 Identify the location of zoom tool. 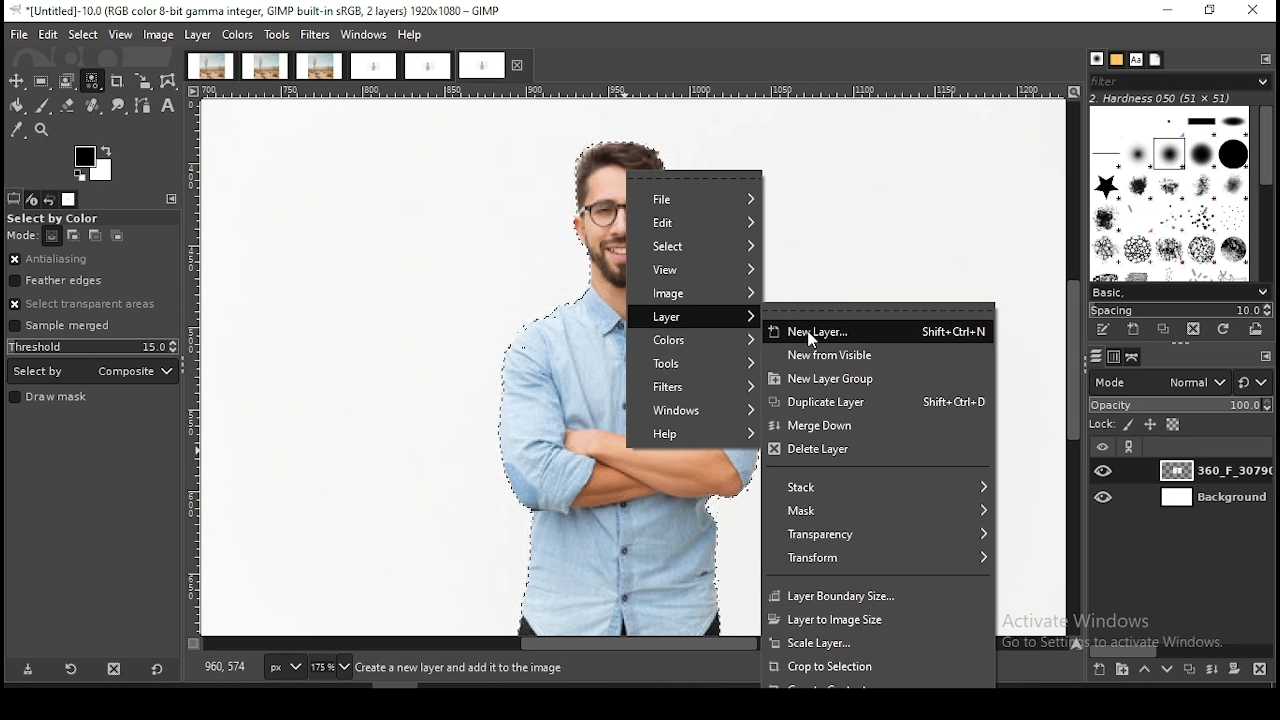
(40, 128).